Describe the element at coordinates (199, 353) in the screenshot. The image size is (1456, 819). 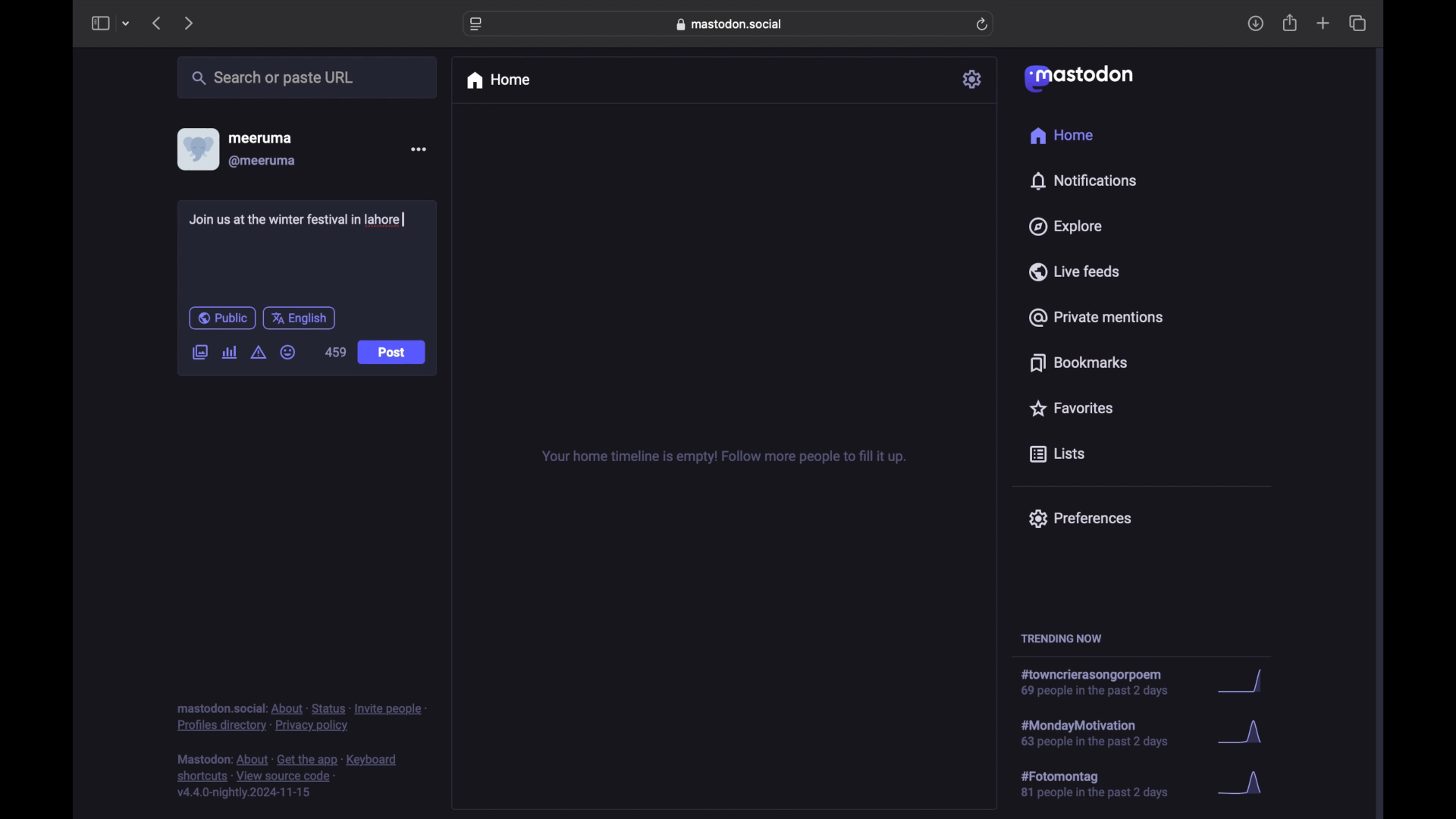
I see `add image` at that location.